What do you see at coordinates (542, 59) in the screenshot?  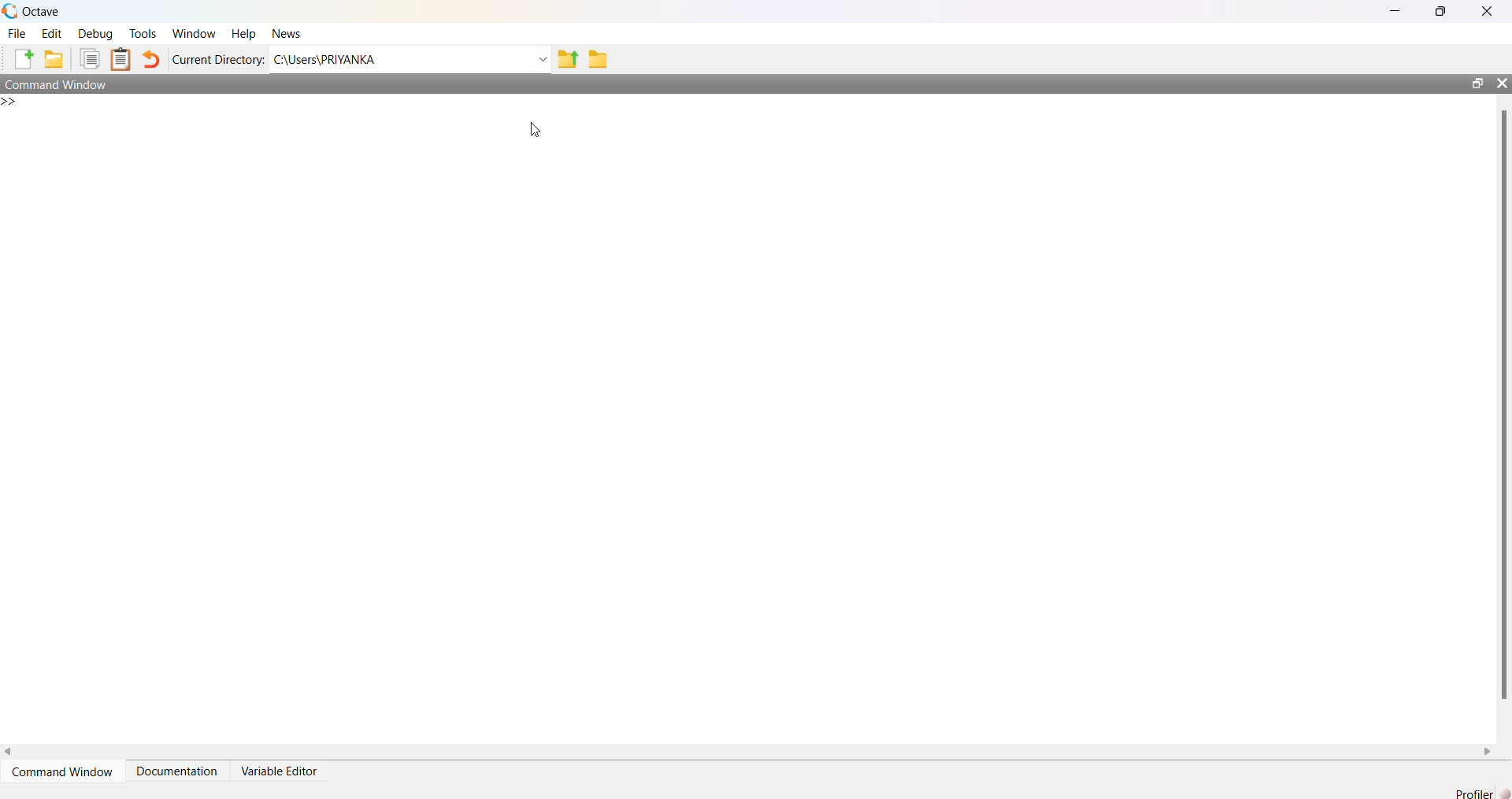 I see `dropdown` at bounding box center [542, 59].